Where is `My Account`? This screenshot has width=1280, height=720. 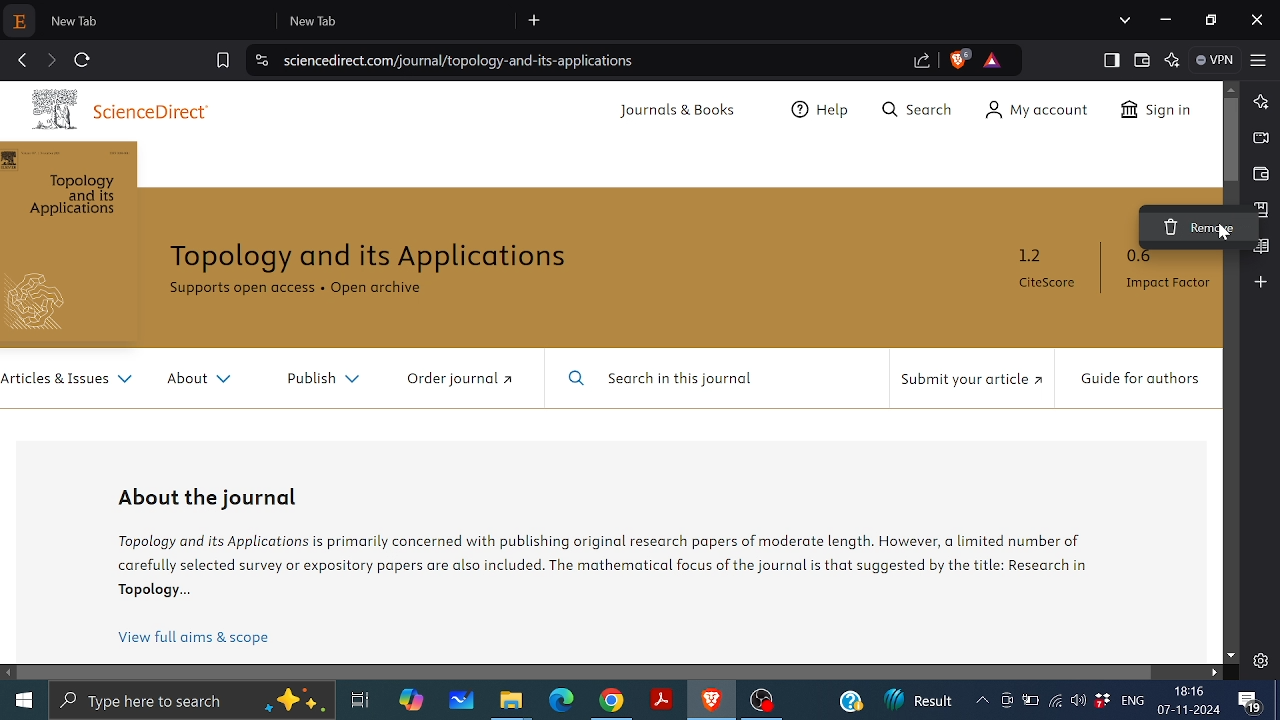
My Account is located at coordinates (1031, 112).